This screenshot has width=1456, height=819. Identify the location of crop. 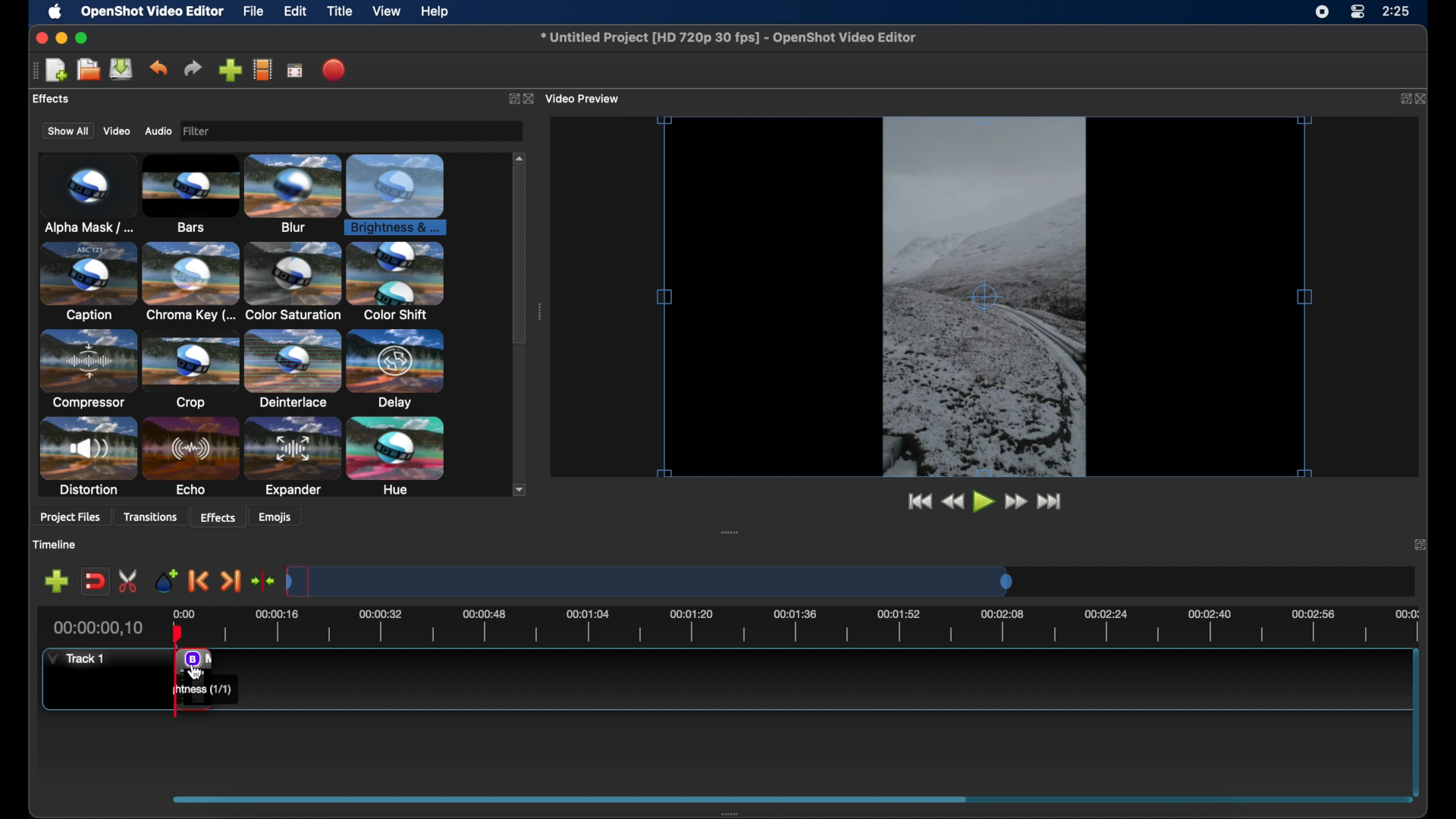
(191, 369).